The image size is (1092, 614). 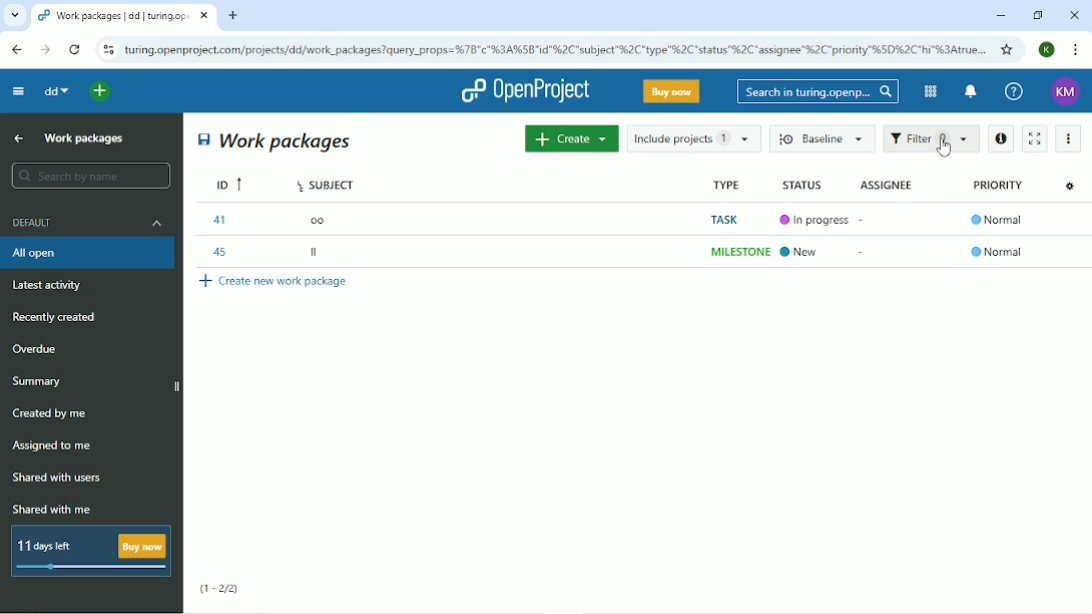 I want to click on In progress, so click(x=818, y=221).